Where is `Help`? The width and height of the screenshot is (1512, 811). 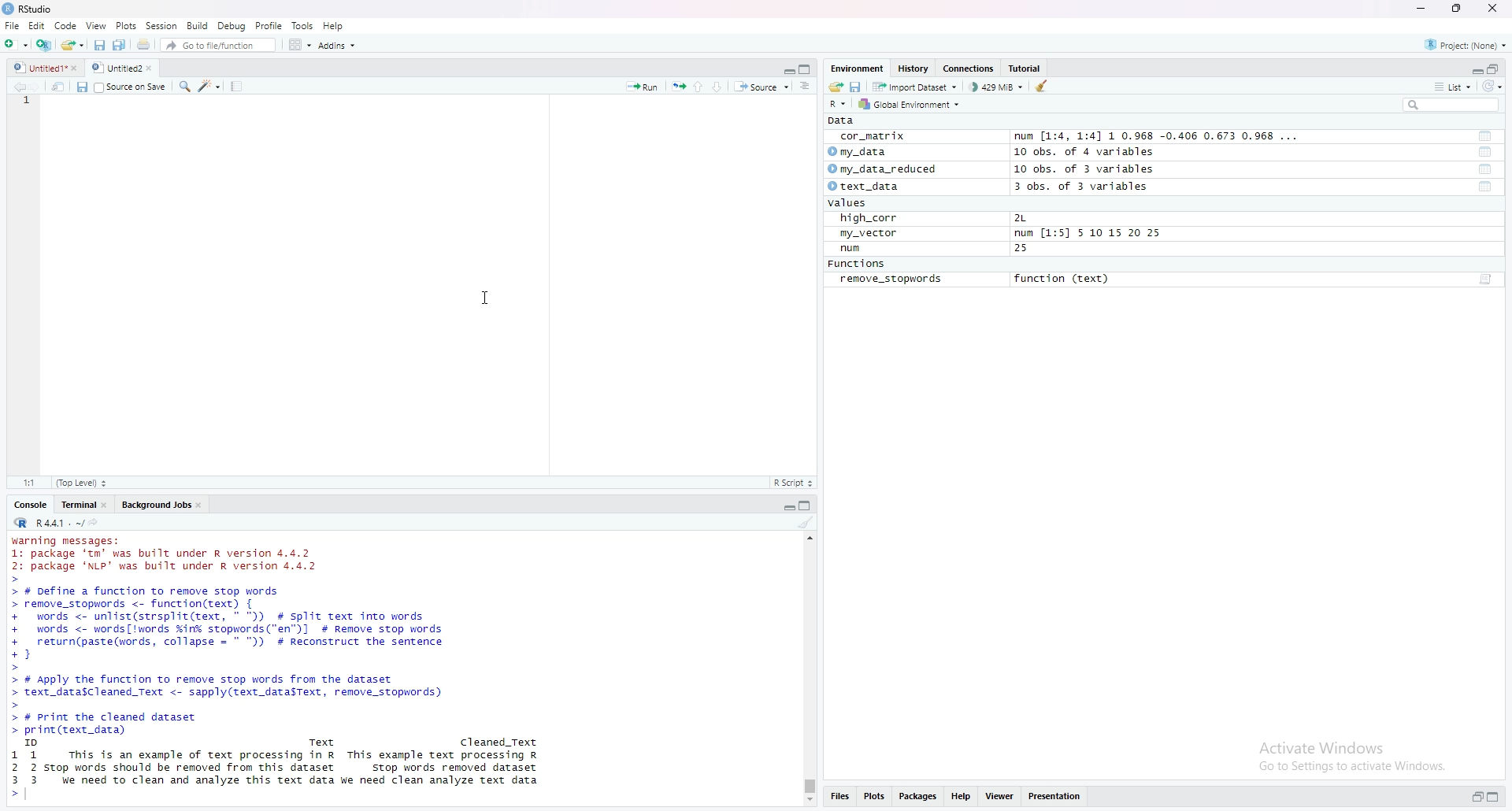
Help is located at coordinates (962, 797).